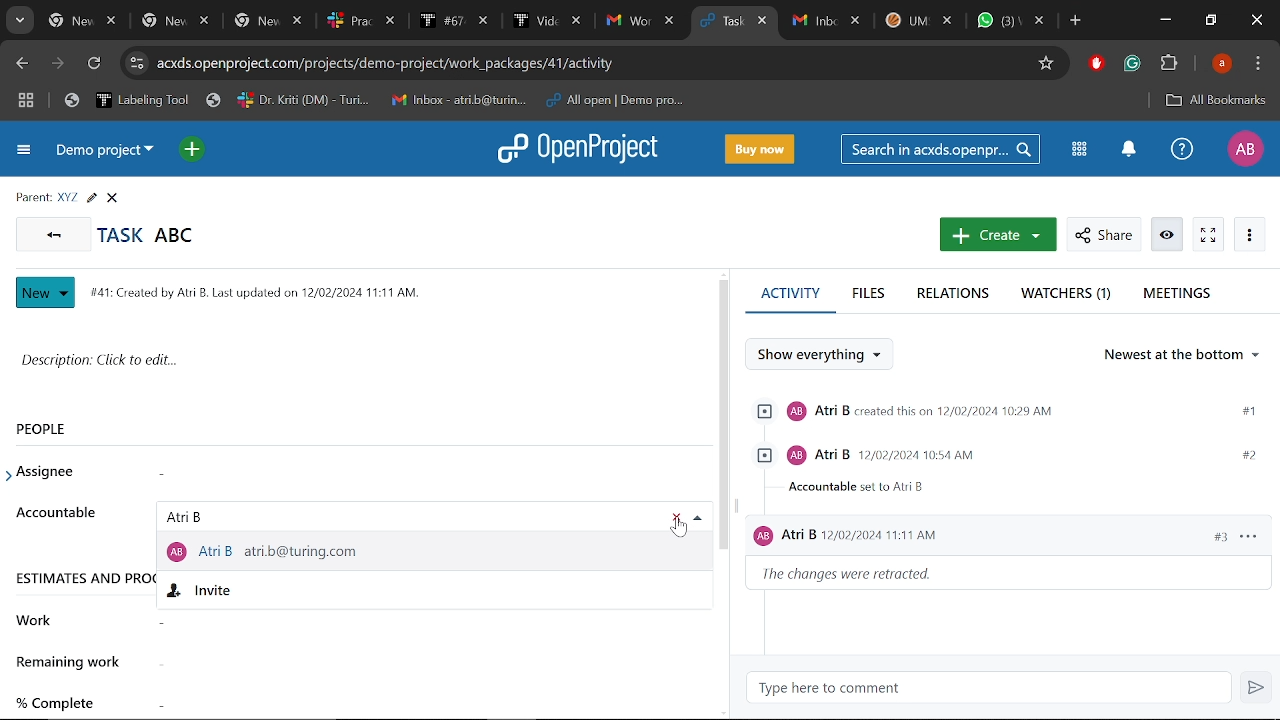 Image resolution: width=1280 pixels, height=720 pixels. Describe the element at coordinates (998, 234) in the screenshot. I see `Create ` at that location.